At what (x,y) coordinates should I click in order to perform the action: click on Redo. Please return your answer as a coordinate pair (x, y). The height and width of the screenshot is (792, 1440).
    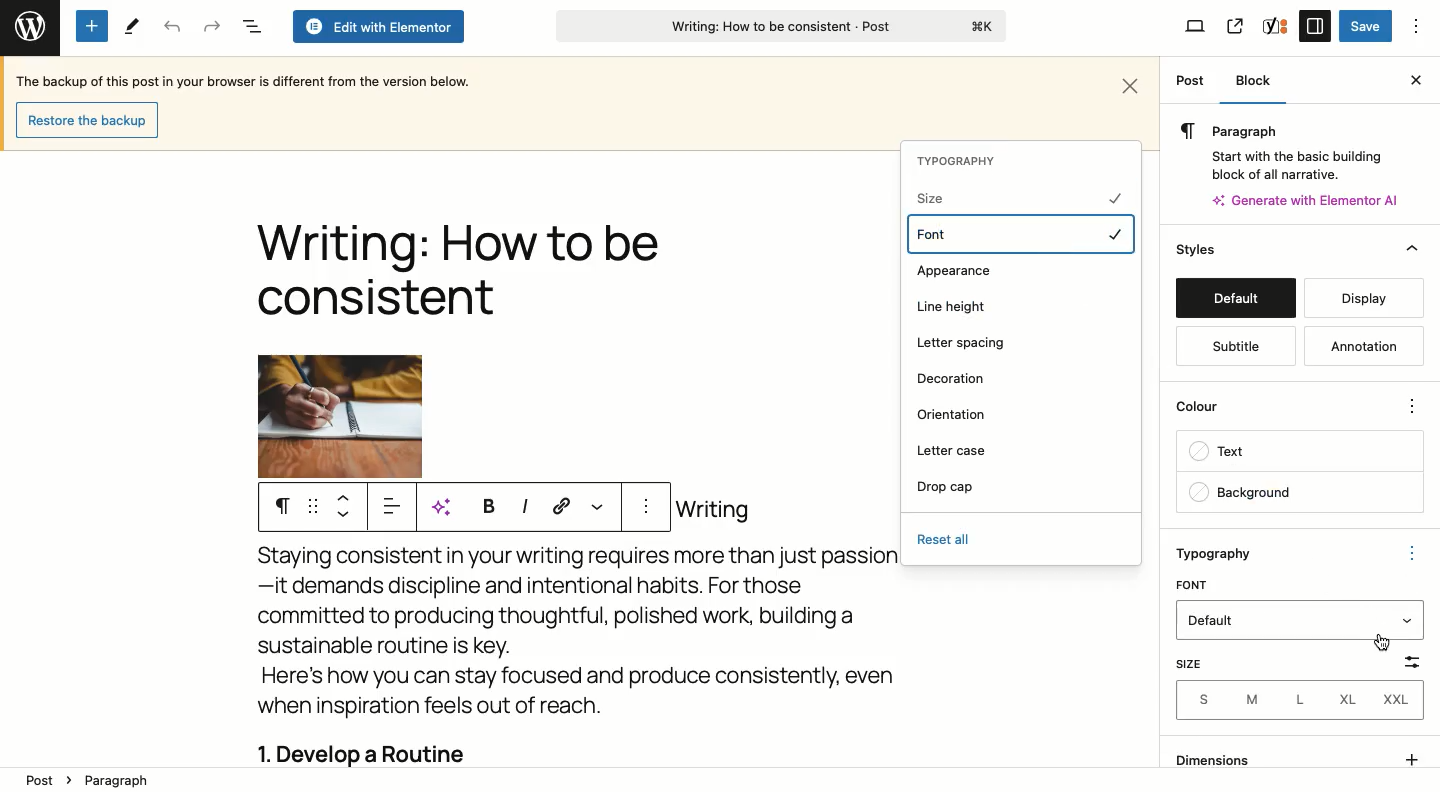
    Looking at the image, I should click on (212, 26).